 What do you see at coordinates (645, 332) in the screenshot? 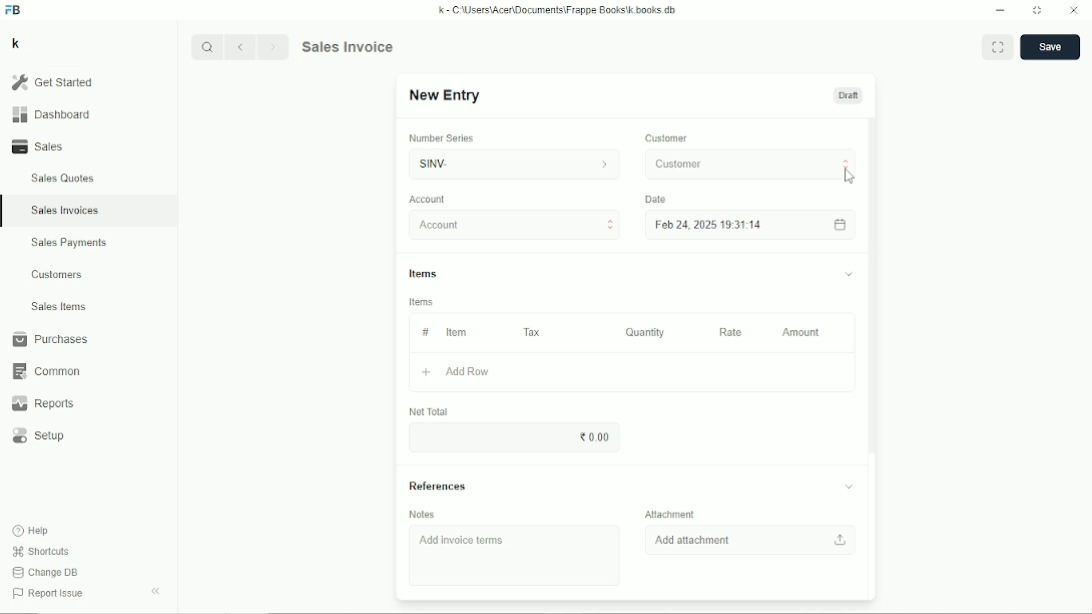
I see `Quantity` at bounding box center [645, 332].